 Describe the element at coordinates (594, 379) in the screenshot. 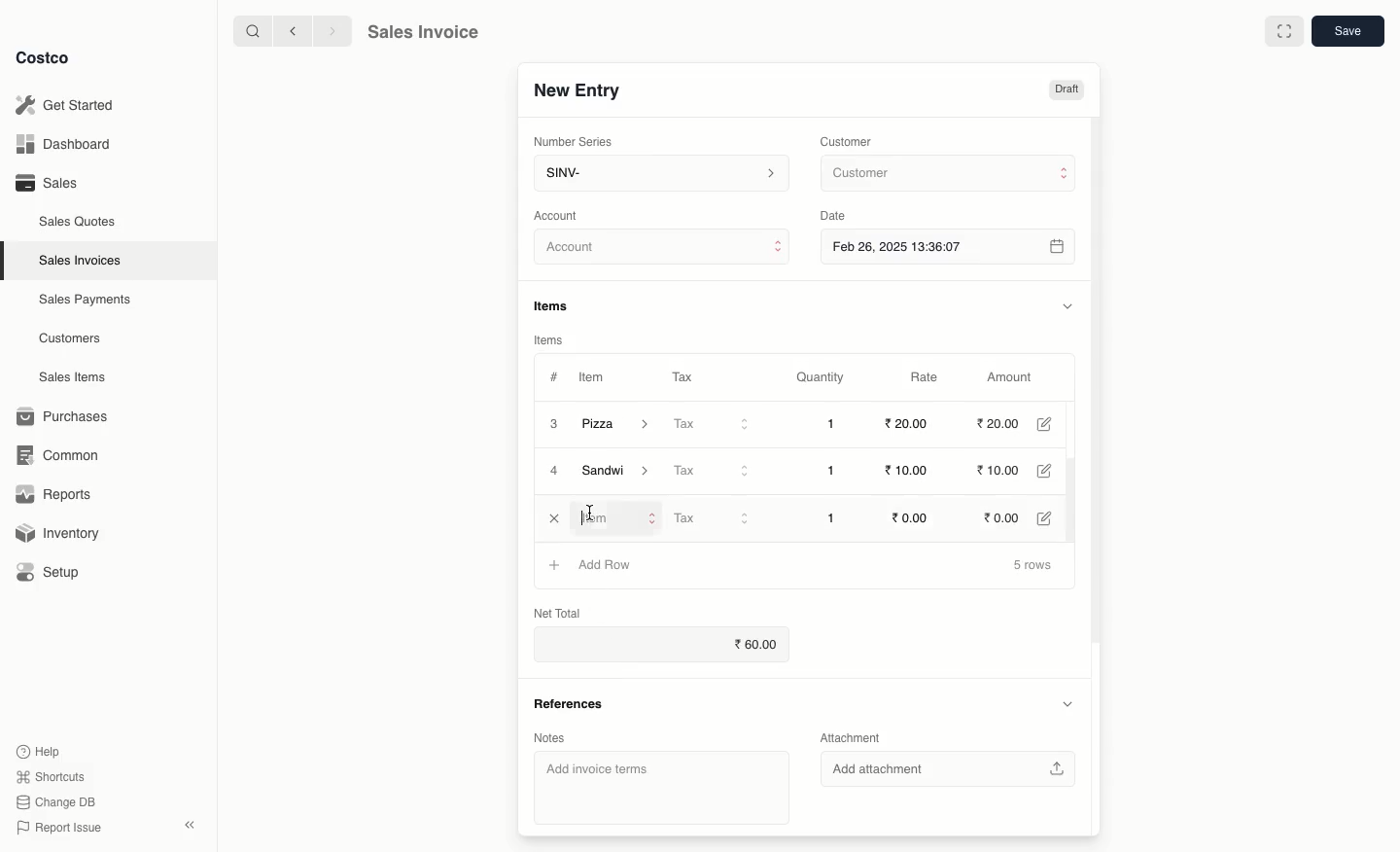

I see `Item` at that location.